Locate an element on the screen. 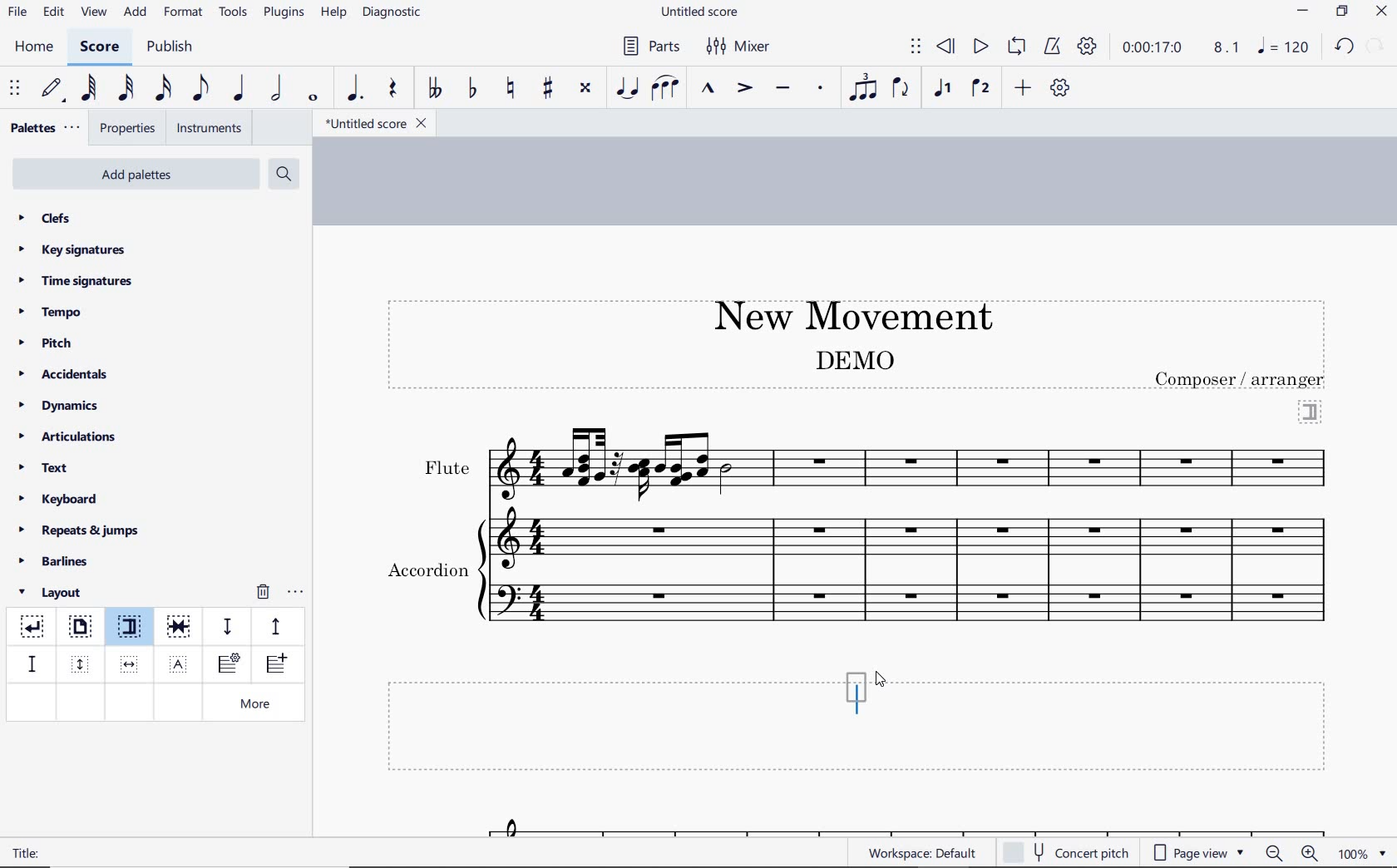 The image size is (1397, 868). Mixer is located at coordinates (739, 47).